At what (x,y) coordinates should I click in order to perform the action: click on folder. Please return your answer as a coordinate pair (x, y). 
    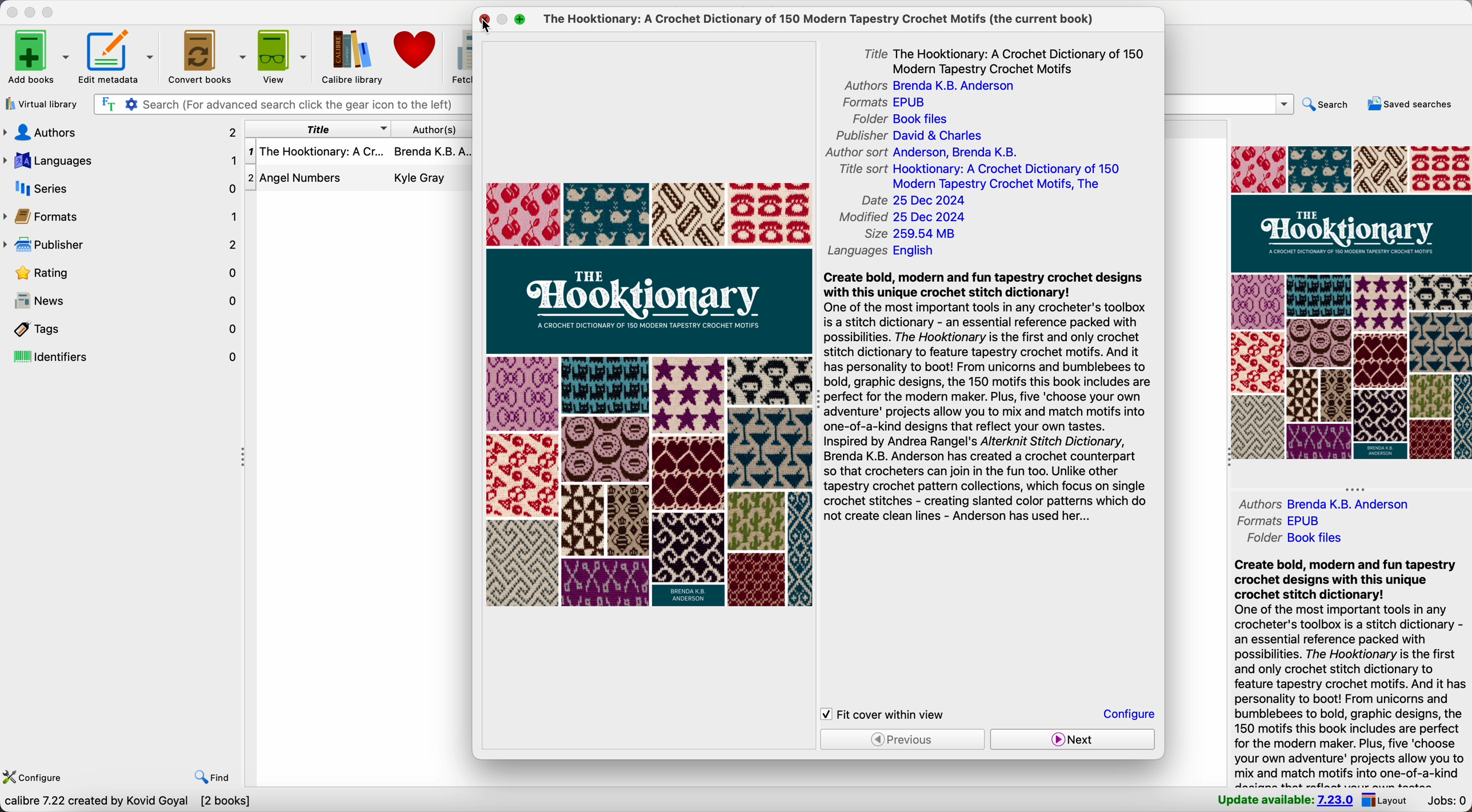
    Looking at the image, I should click on (905, 119).